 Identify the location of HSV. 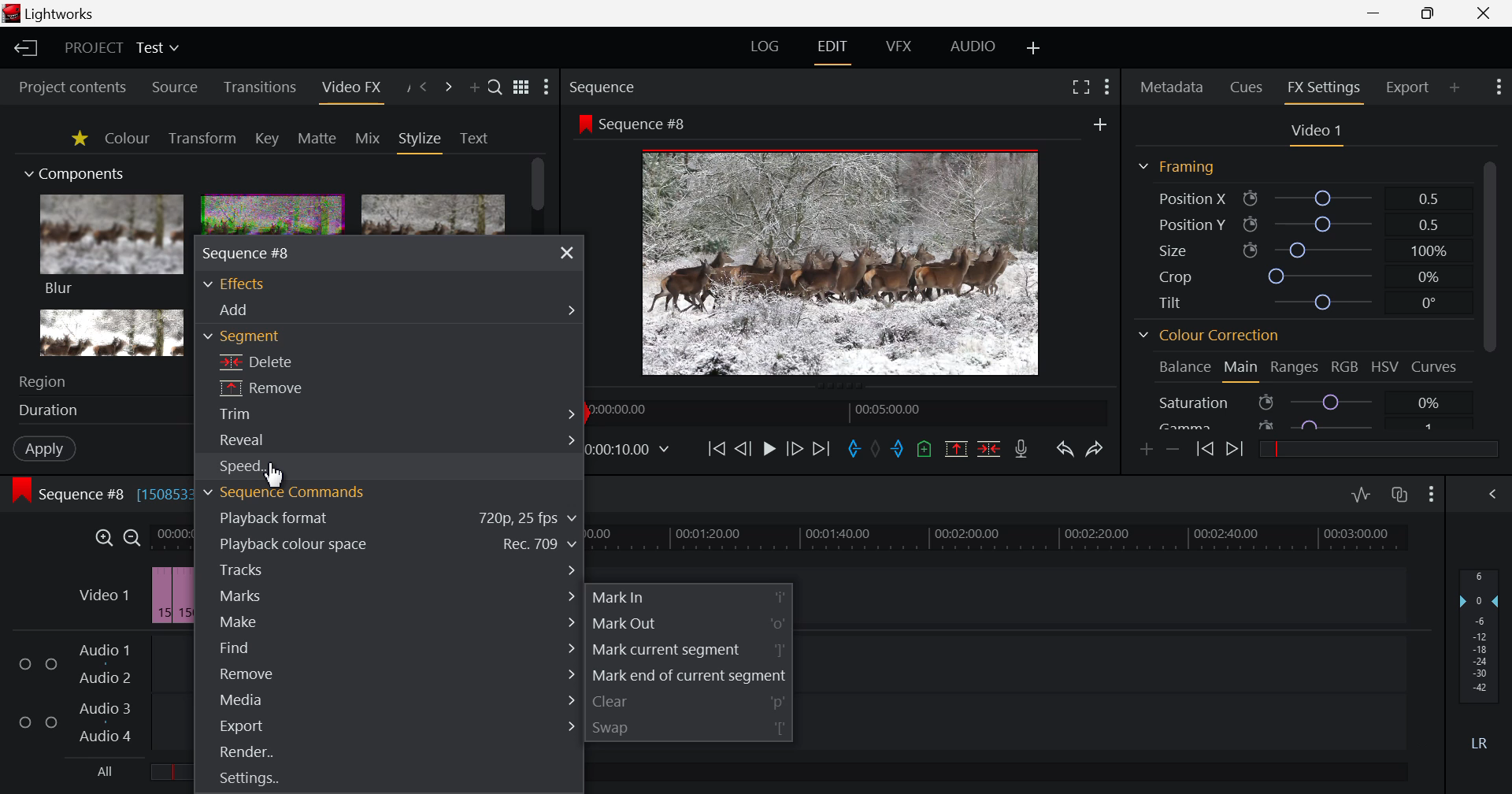
(1388, 368).